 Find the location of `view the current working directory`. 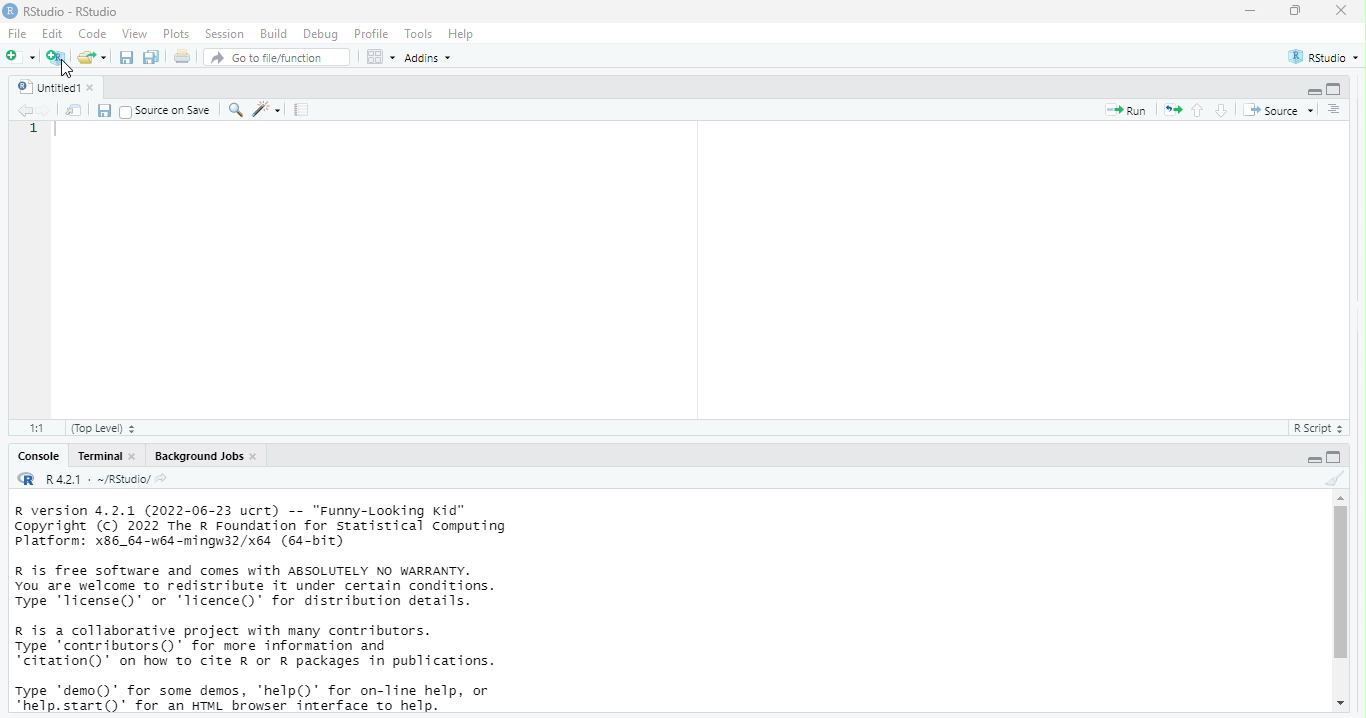

view the current working directory is located at coordinates (171, 479).